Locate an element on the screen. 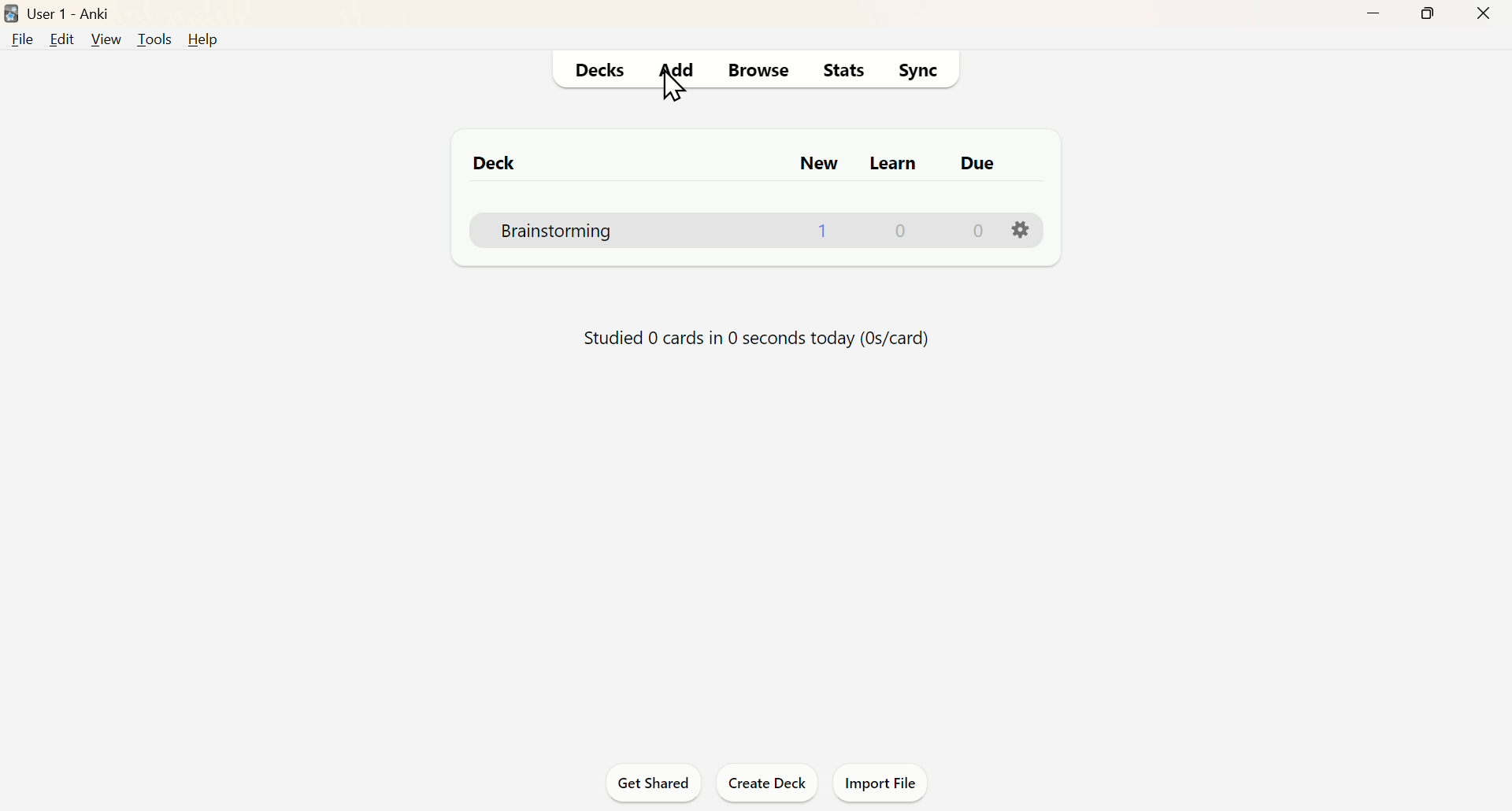 The image size is (1512, 811). Add is located at coordinates (680, 69).